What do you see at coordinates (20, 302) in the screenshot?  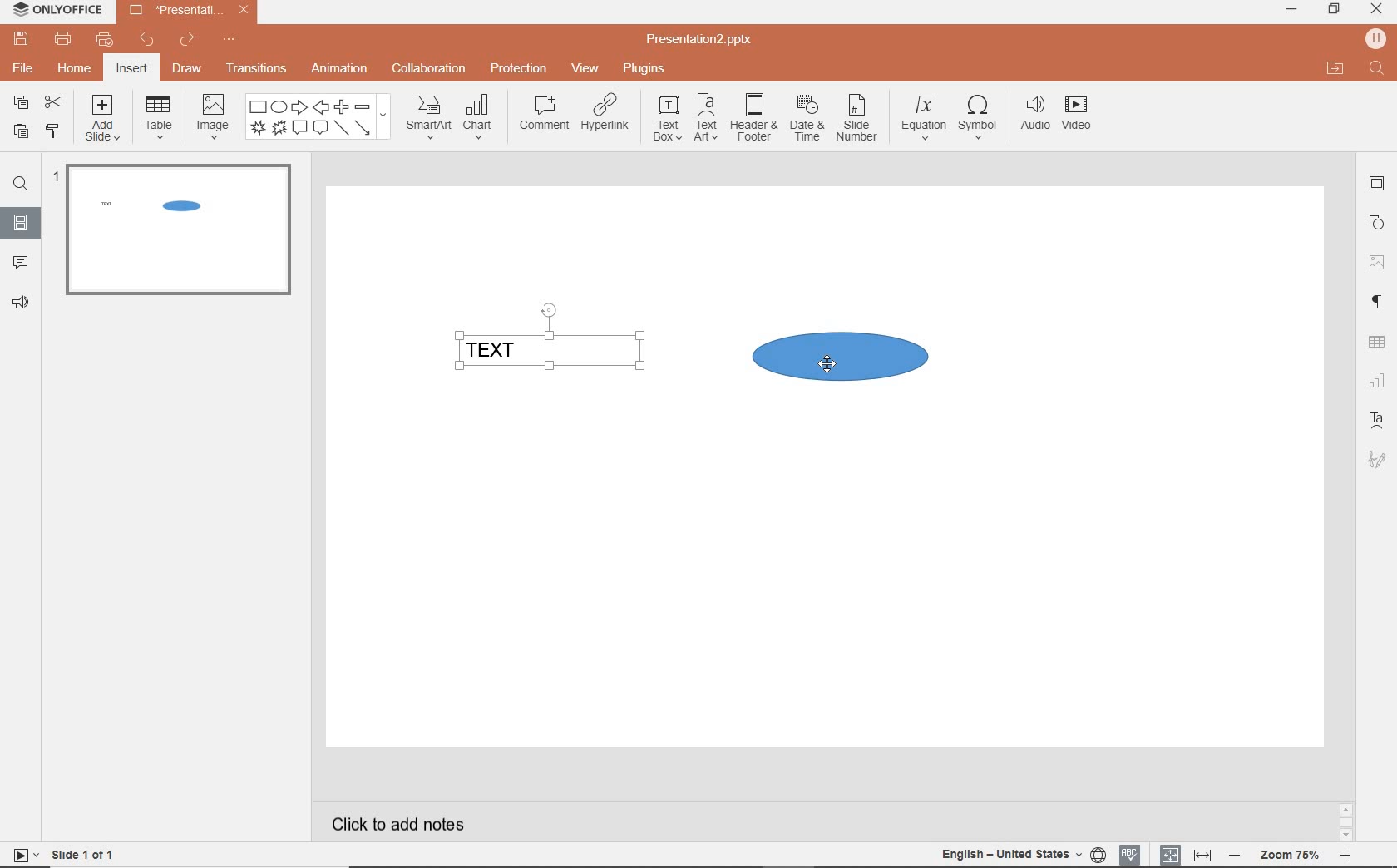 I see `FEEDBACK & SUPPORT` at bounding box center [20, 302].